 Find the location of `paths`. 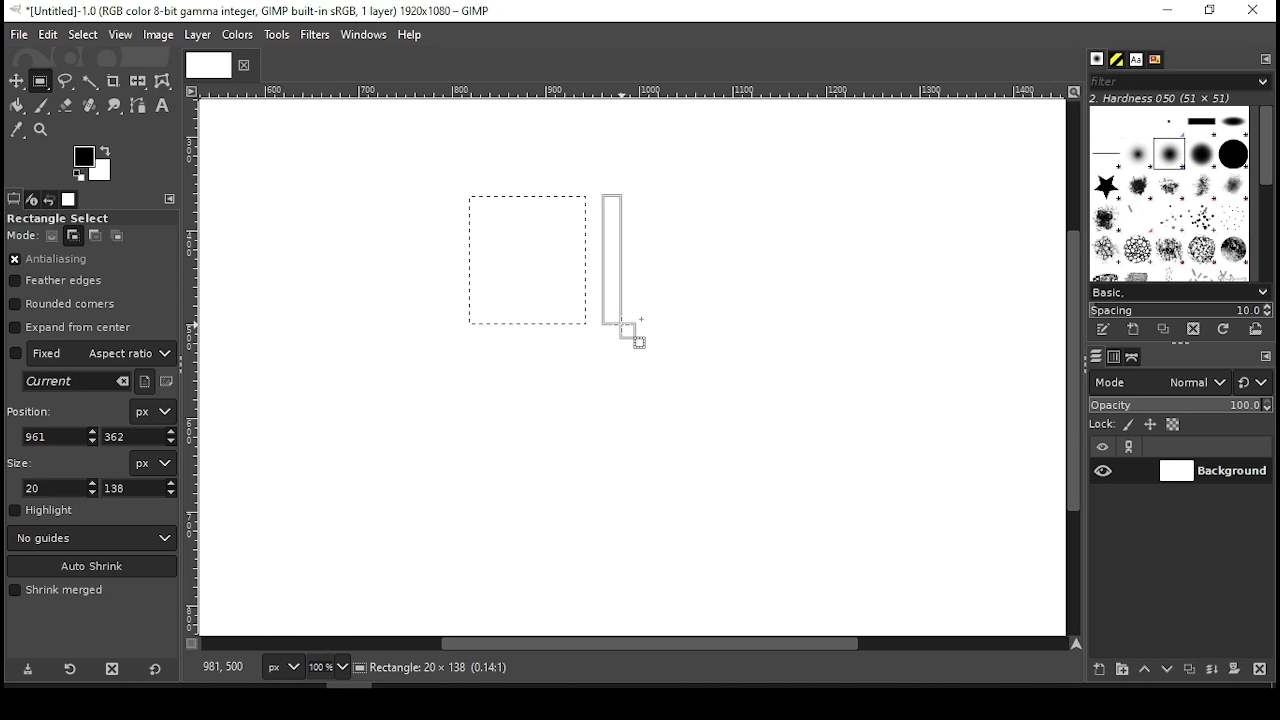

paths is located at coordinates (1135, 356).